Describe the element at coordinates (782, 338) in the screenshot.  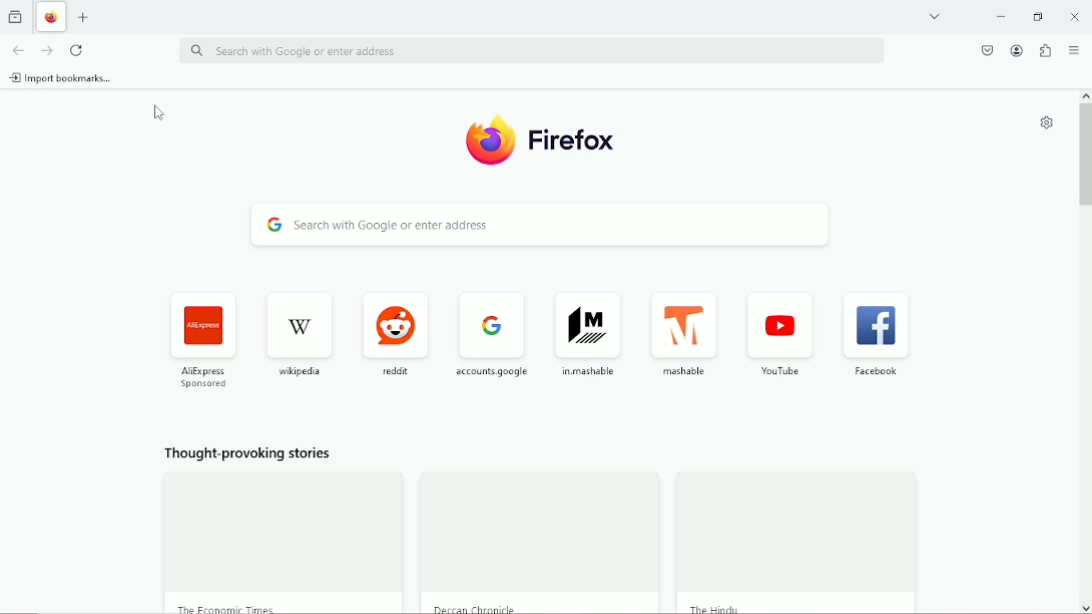
I see `YouTube` at that location.